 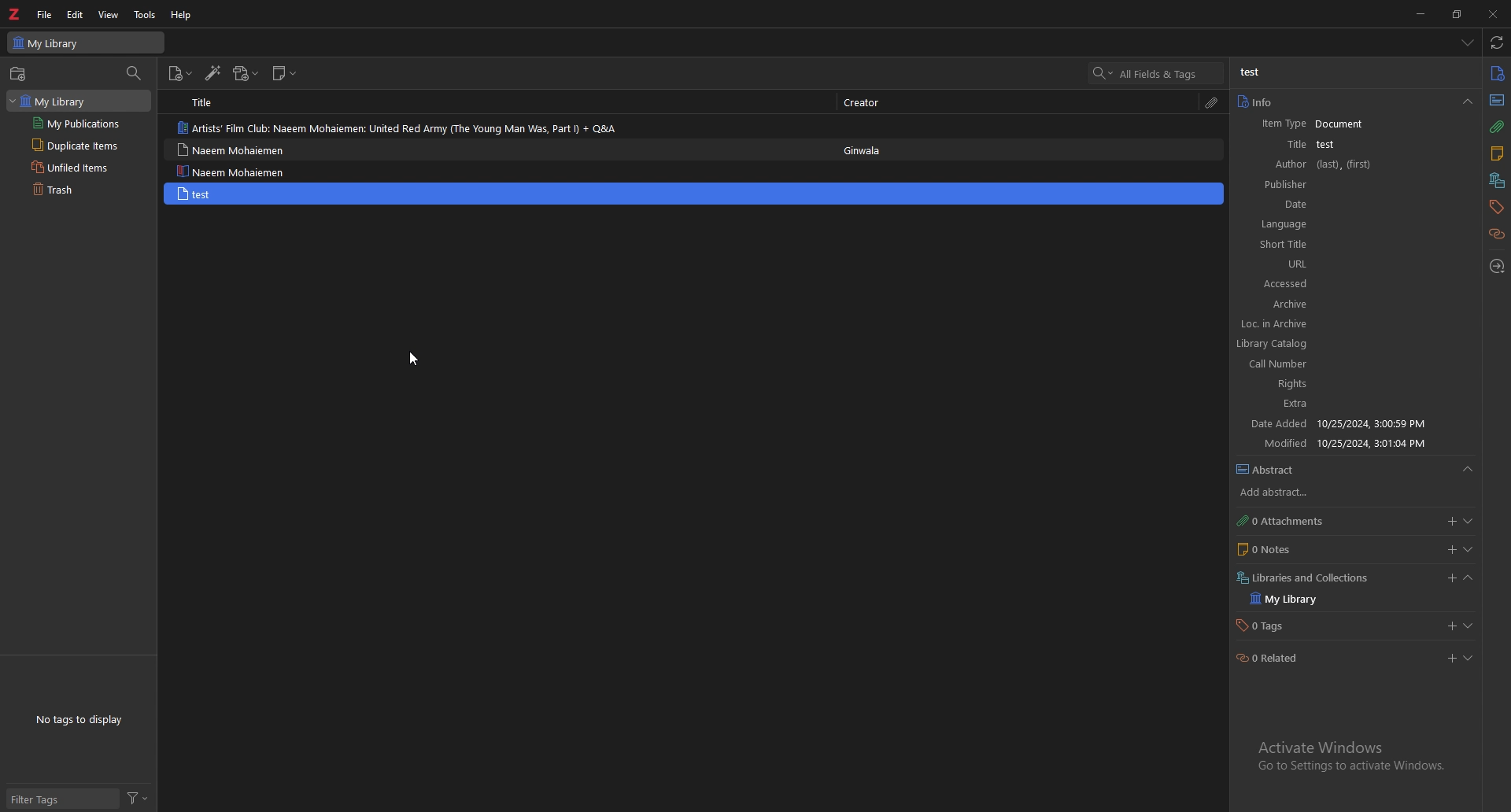 What do you see at coordinates (1476, 473) in the screenshot?
I see `Menu` at bounding box center [1476, 473].